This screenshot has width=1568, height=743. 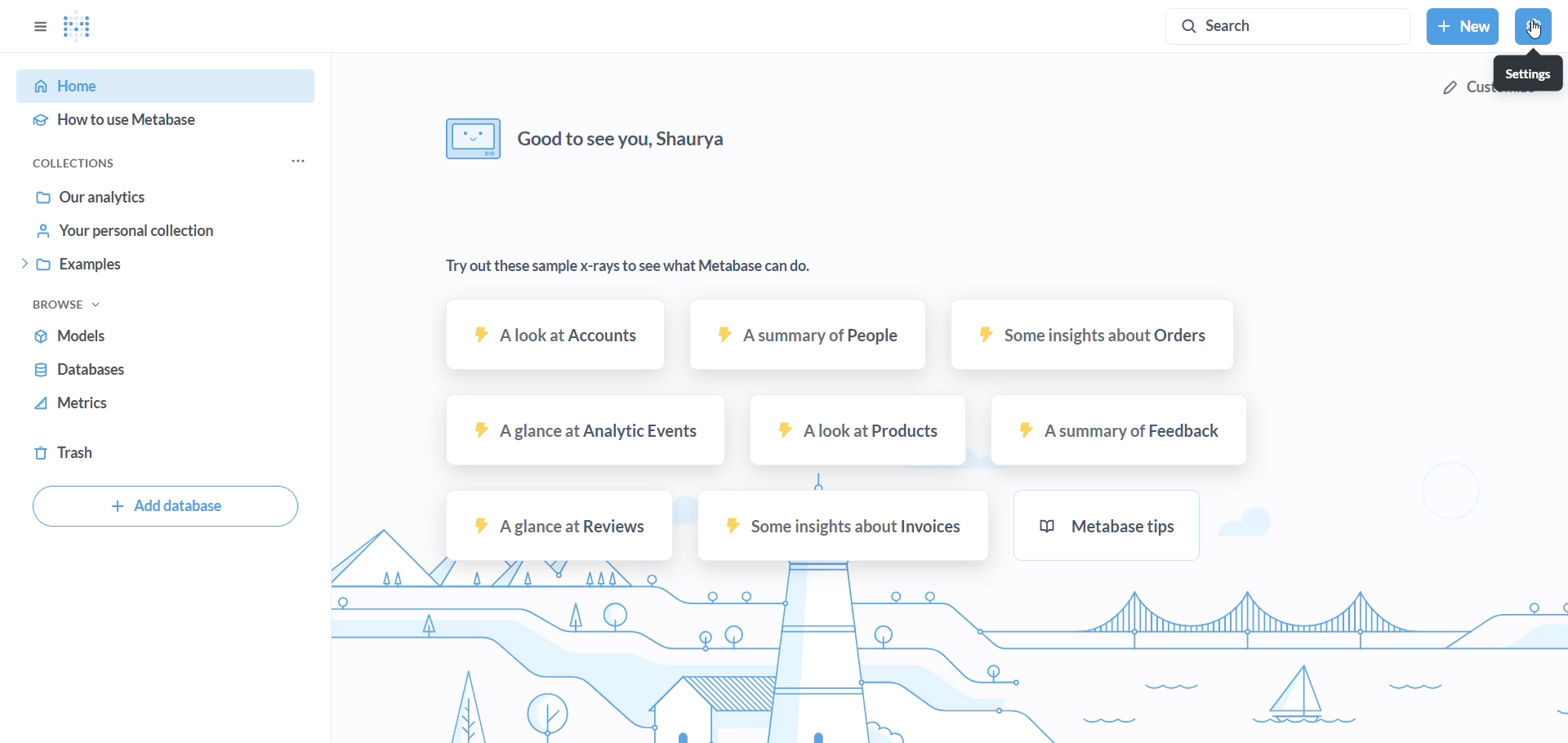 I want to click on settings button, so click(x=1526, y=73).